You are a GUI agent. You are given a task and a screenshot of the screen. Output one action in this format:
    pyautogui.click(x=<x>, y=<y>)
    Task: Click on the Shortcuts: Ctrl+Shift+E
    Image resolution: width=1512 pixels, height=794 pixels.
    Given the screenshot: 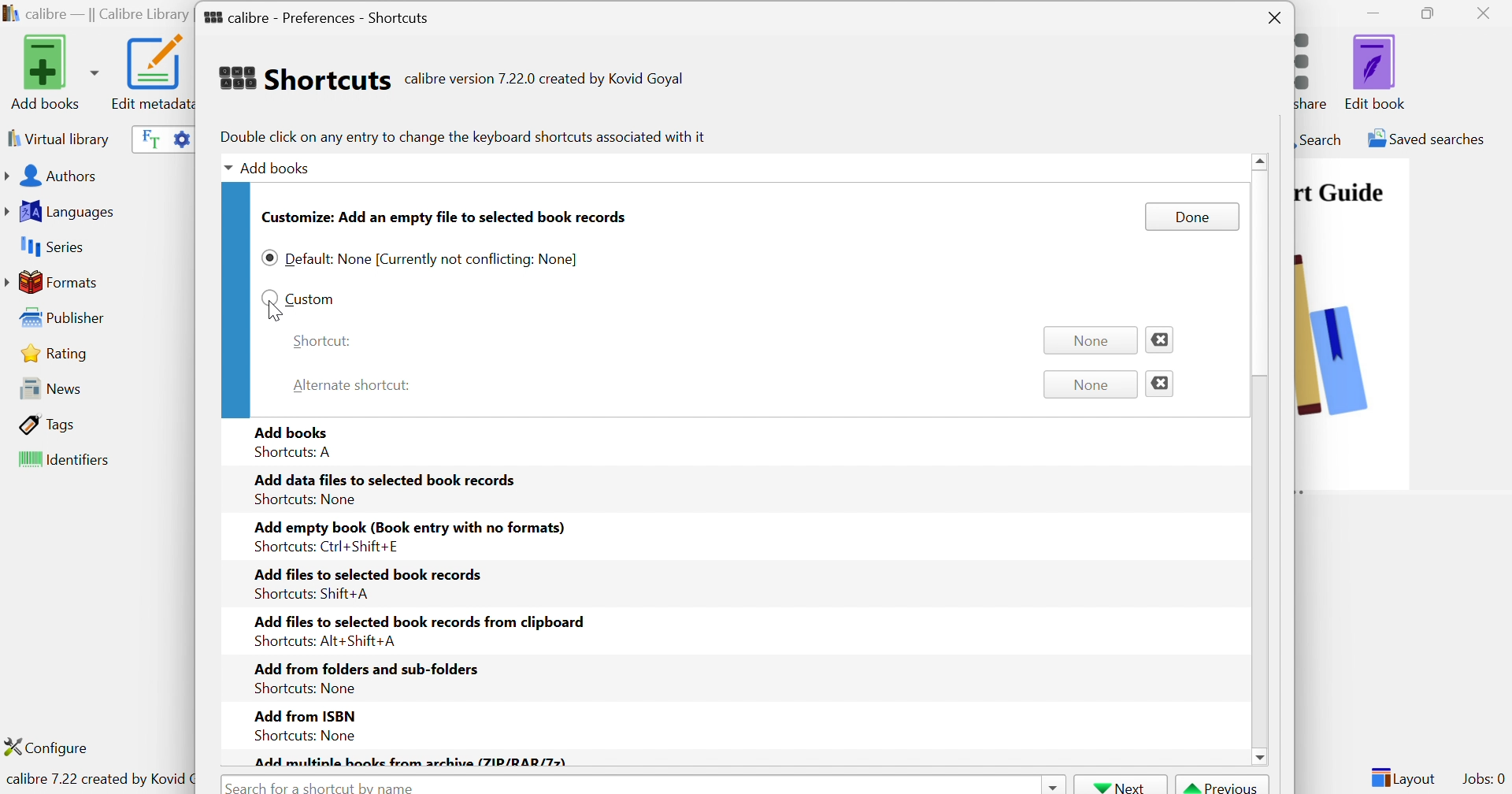 What is the action you would take?
    pyautogui.click(x=322, y=547)
    